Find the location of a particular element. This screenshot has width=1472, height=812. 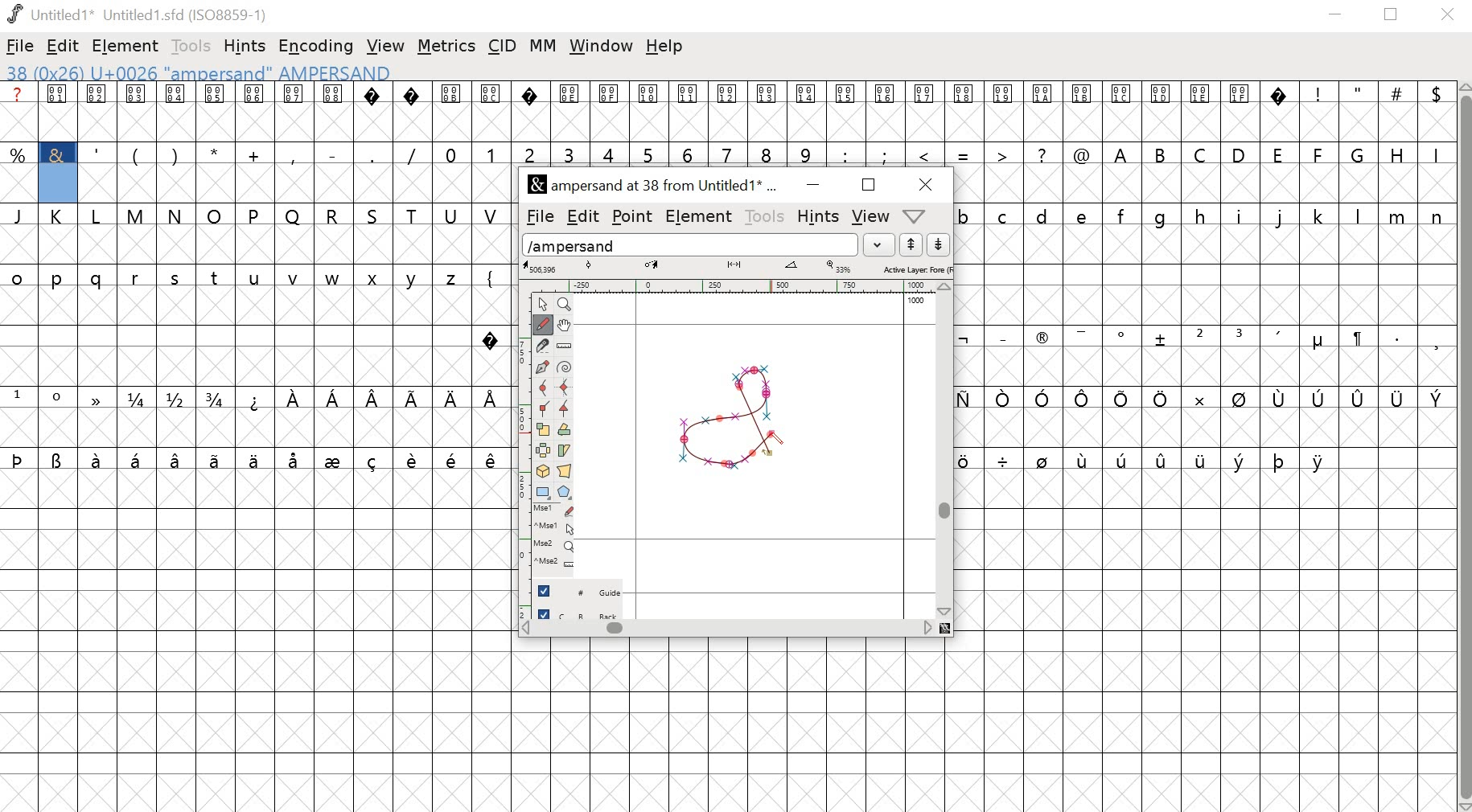

z is located at coordinates (454, 276).